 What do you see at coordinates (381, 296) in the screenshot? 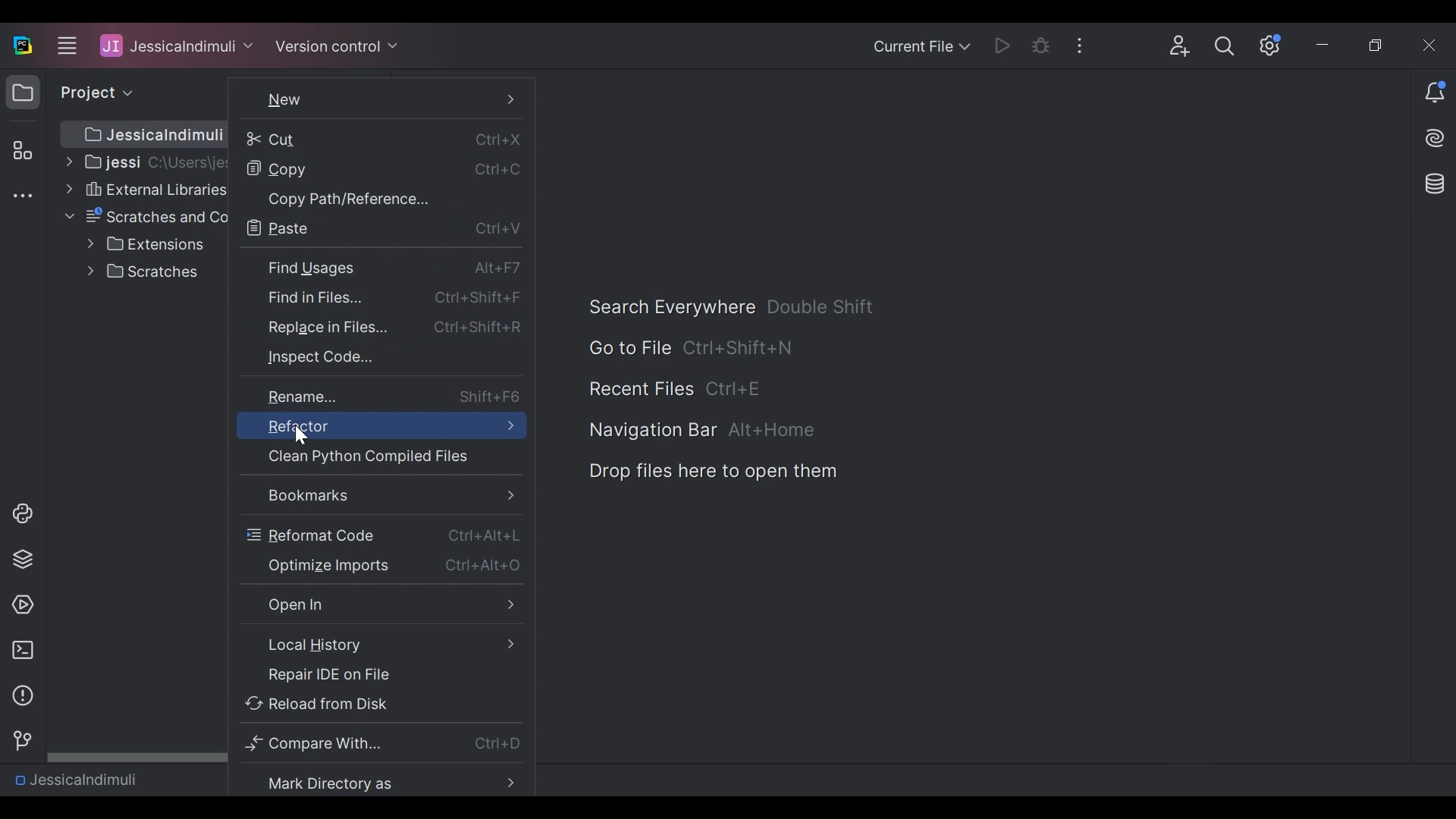
I see `Find in Files` at bounding box center [381, 296].